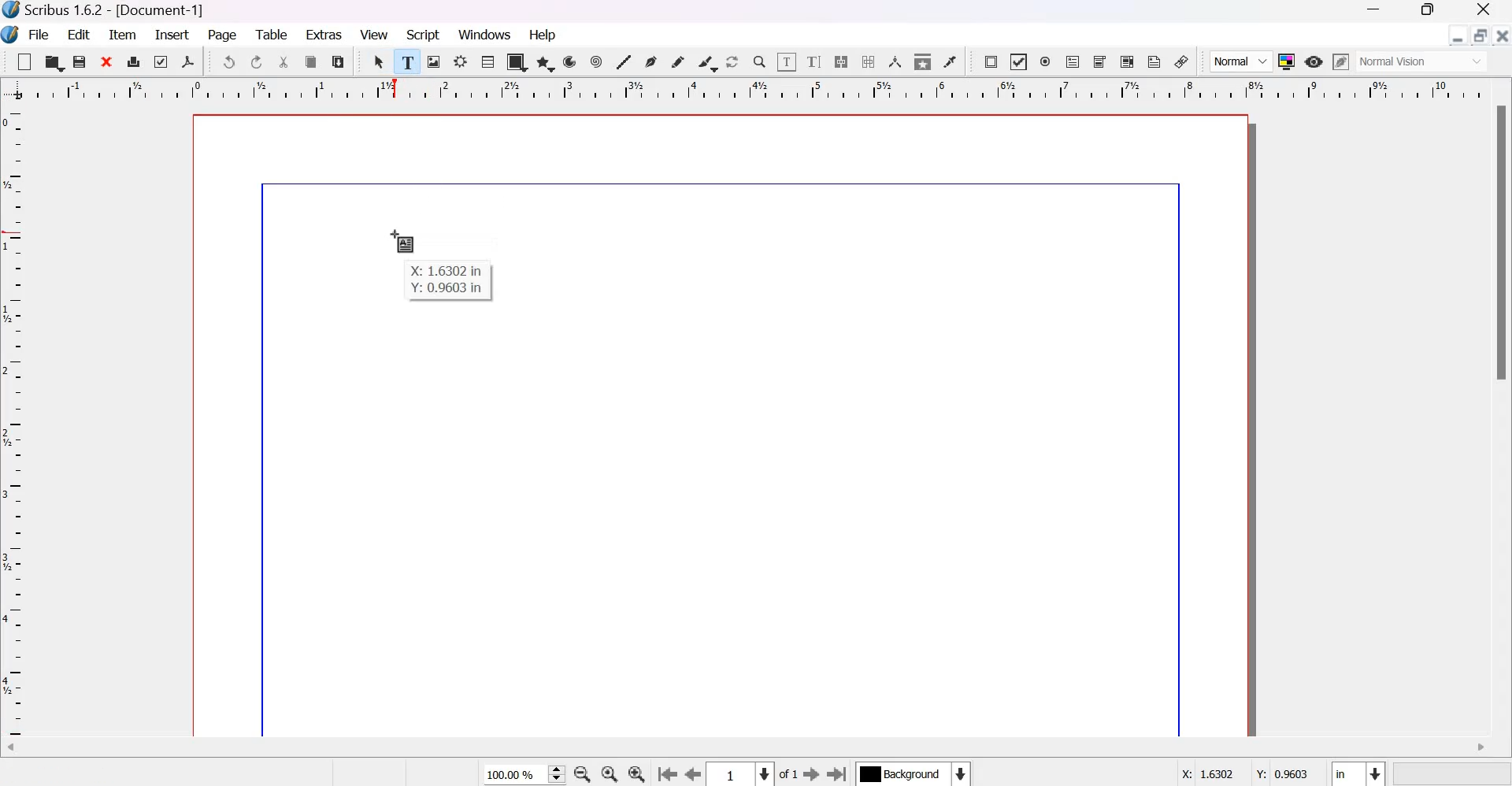 The width and height of the screenshot is (1512, 786). I want to click on Freehand line, so click(677, 62).